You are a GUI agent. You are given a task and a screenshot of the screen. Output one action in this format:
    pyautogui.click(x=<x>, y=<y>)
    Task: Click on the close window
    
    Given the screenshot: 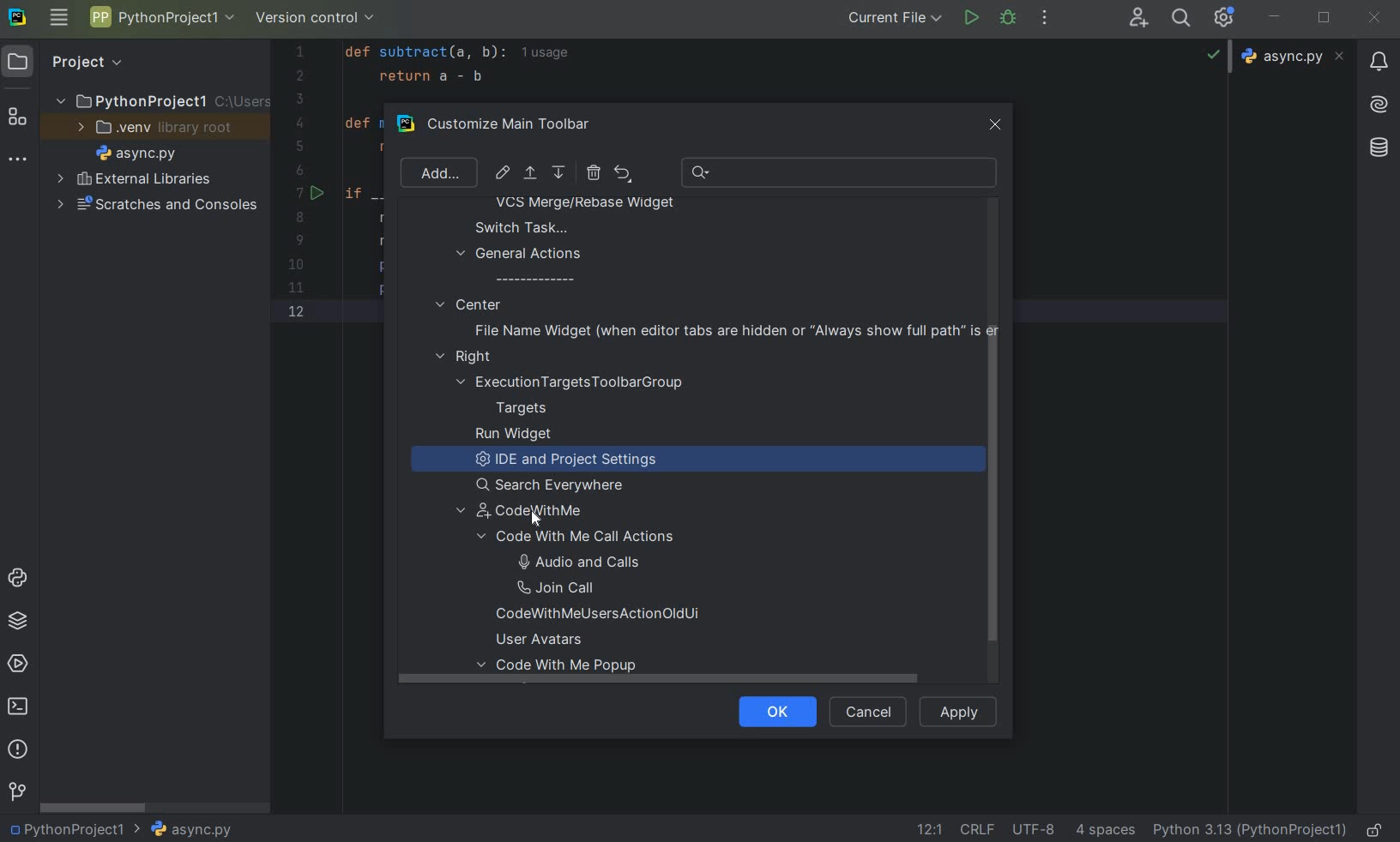 What is the action you would take?
    pyautogui.click(x=997, y=122)
    